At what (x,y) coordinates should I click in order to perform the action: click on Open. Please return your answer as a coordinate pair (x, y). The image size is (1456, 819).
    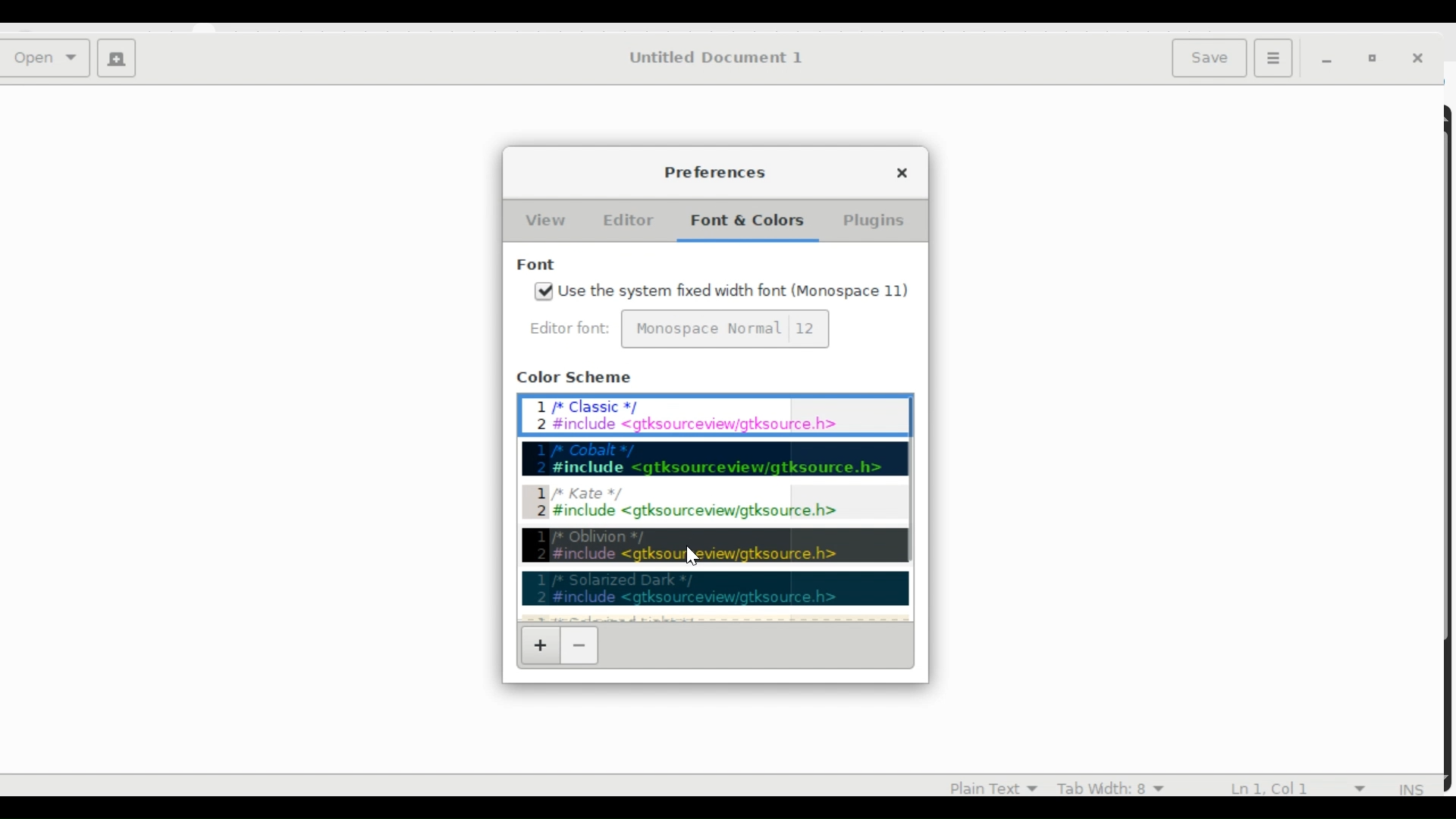
    Looking at the image, I should click on (49, 59).